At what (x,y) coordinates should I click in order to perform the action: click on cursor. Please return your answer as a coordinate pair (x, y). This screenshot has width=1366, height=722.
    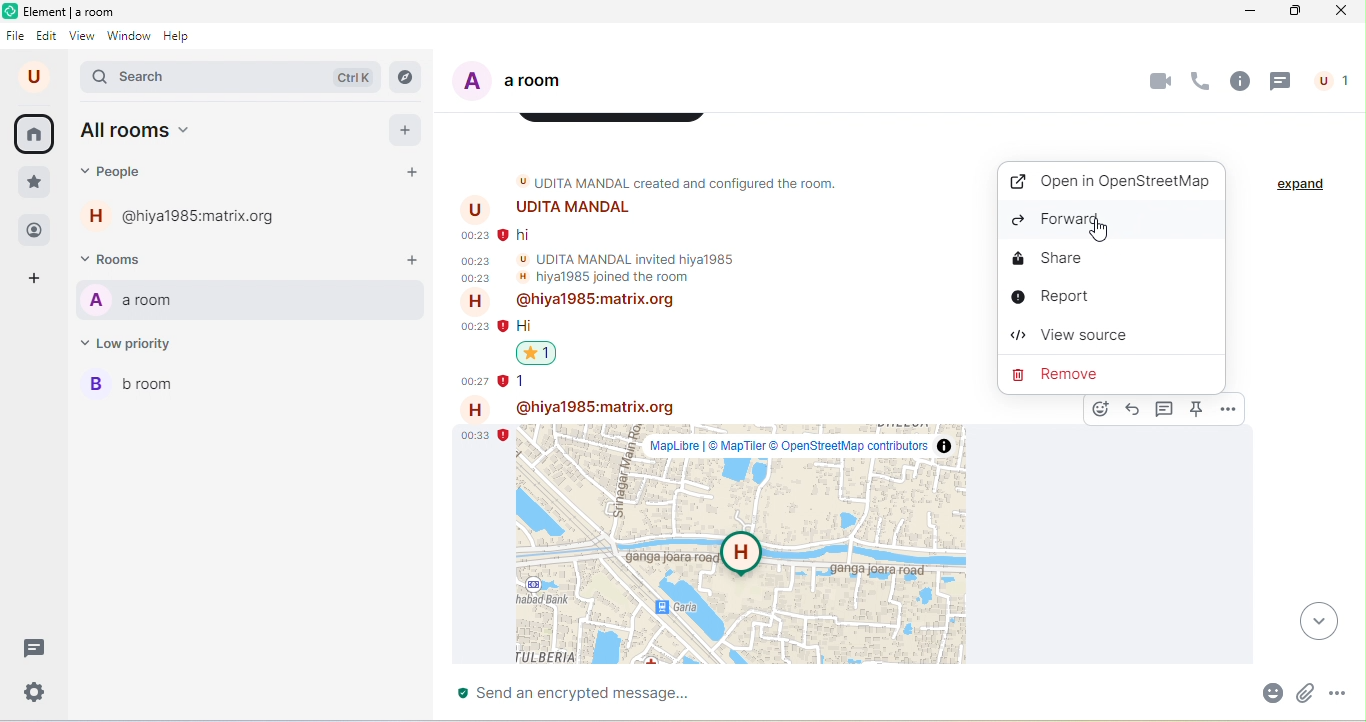
    Looking at the image, I should click on (1101, 232).